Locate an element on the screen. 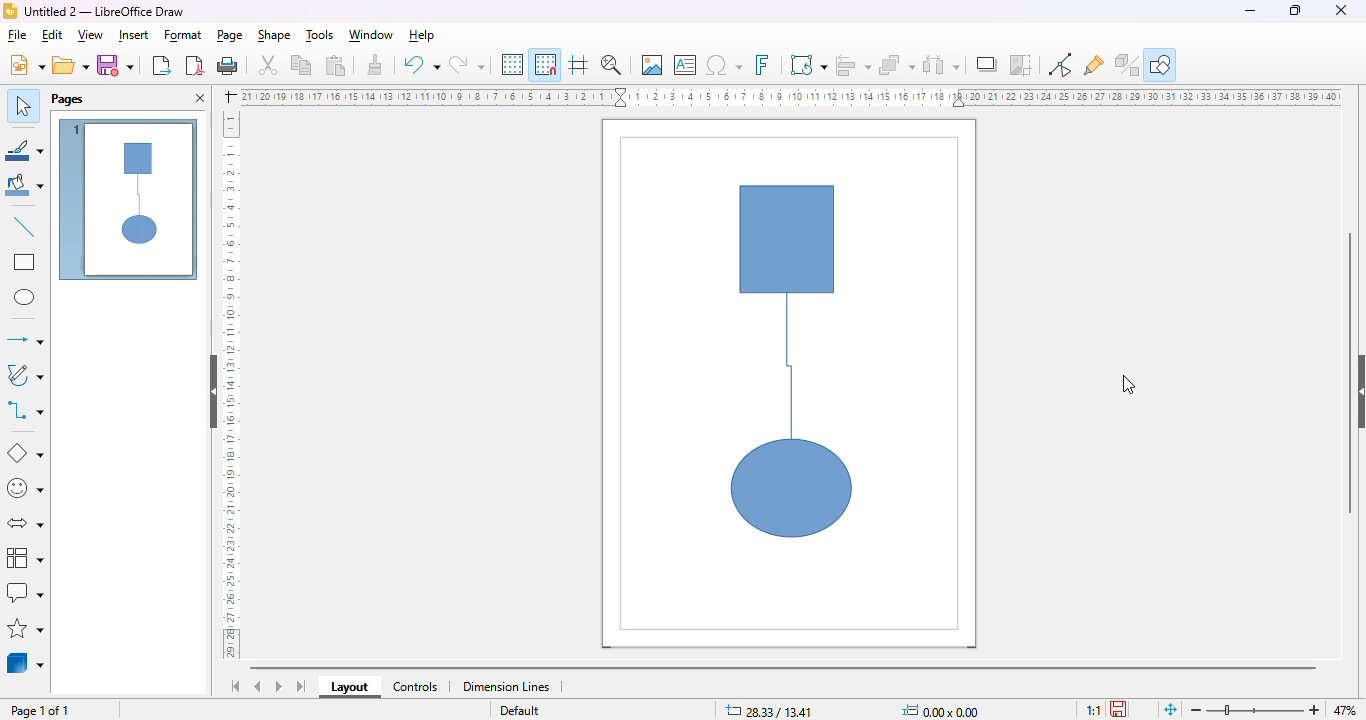 This screenshot has width=1366, height=720. file is located at coordinates (18, 36).